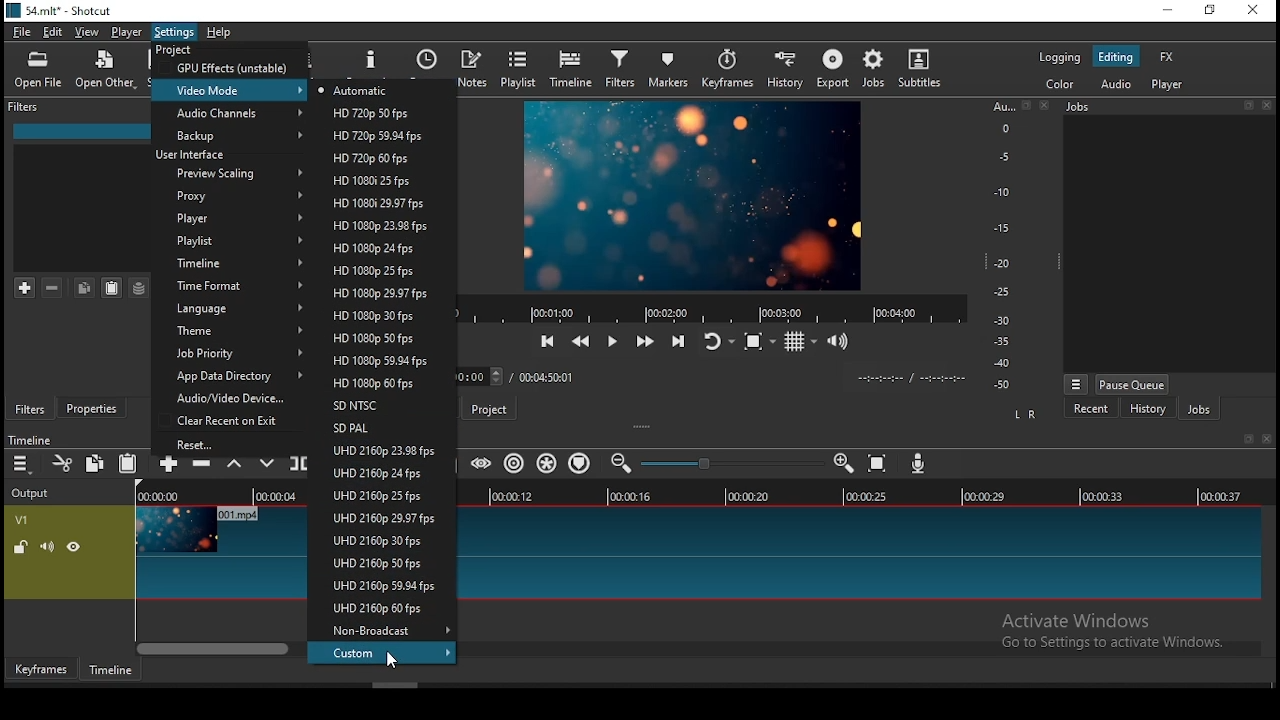  What do you see at coordinates (623, 464) in the screenshot?
I see `zoom timeline in` at bounding box center [623, 464].